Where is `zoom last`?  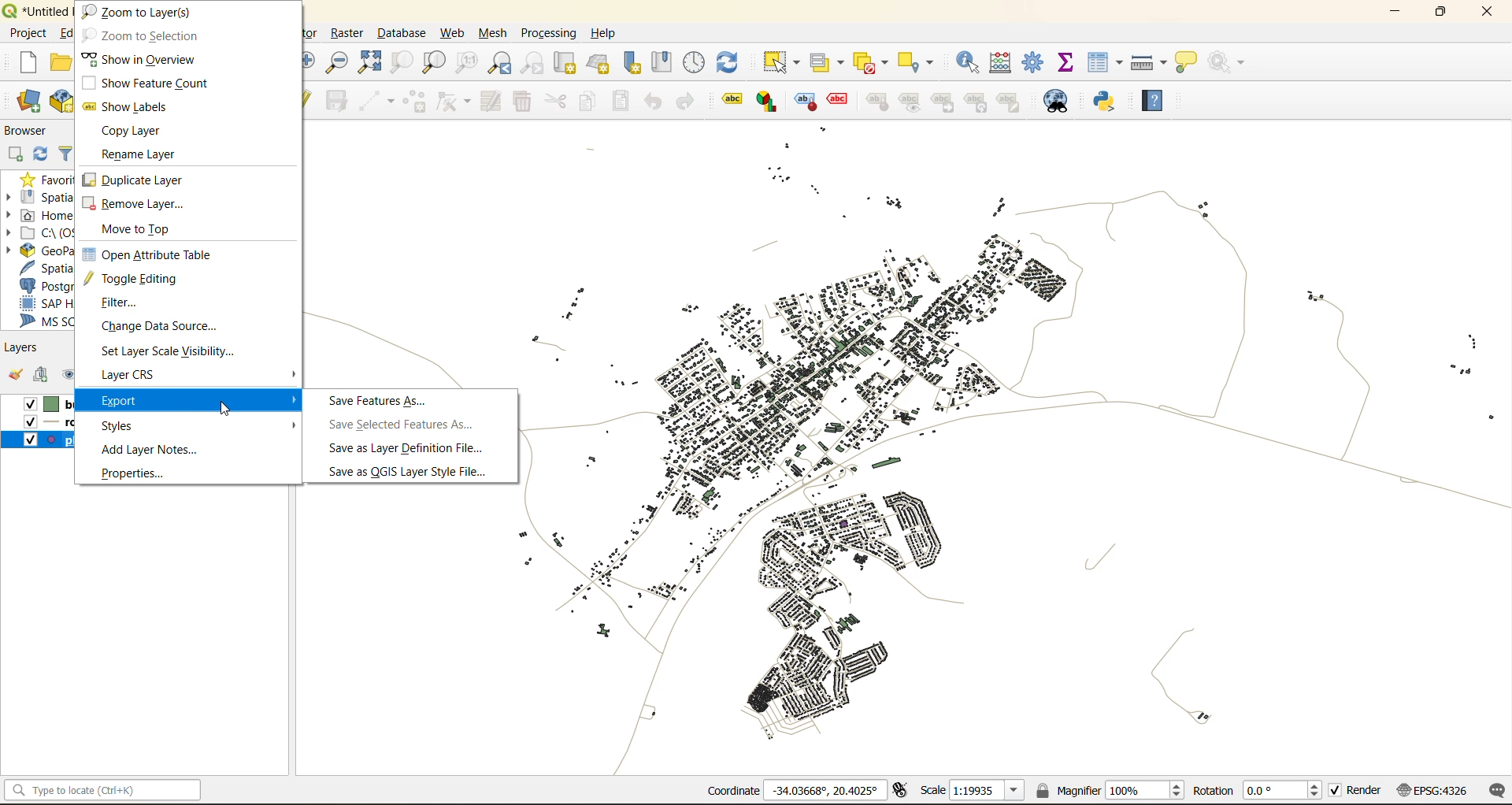
zoom last is located at coordinates (502, 62).